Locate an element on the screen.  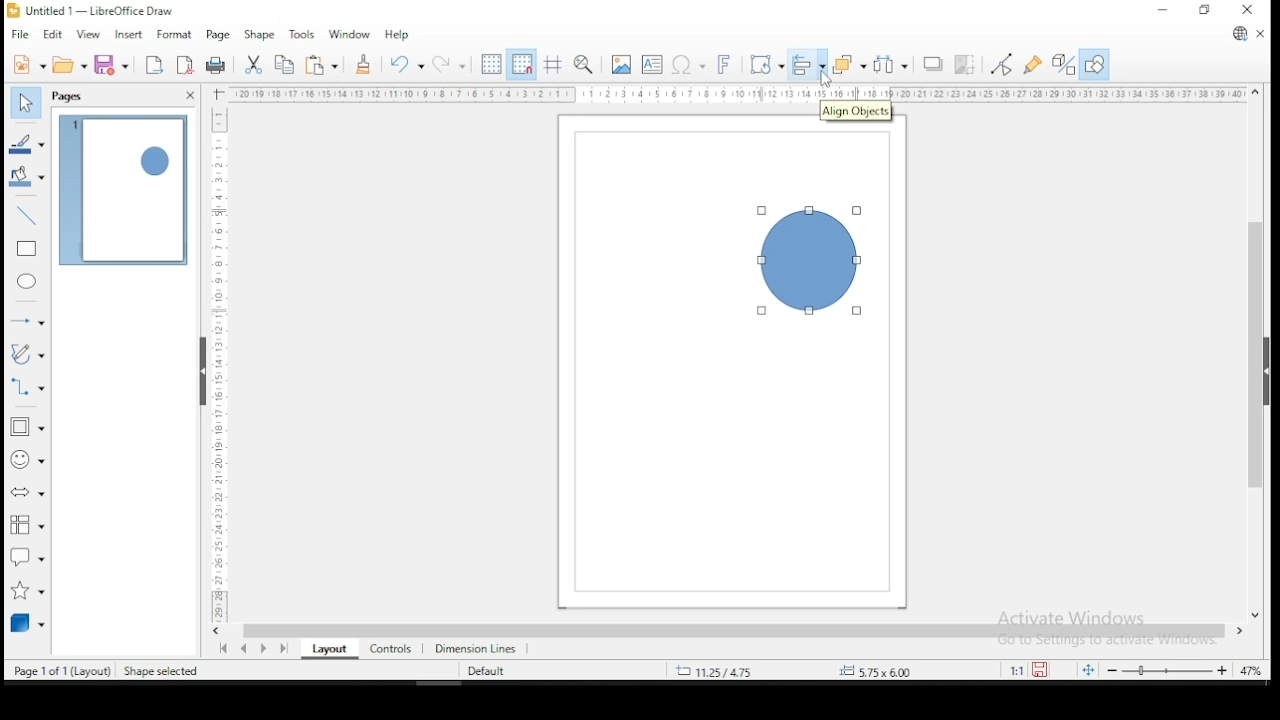
toggle point edit mode is located at coordinates (1000, 64).